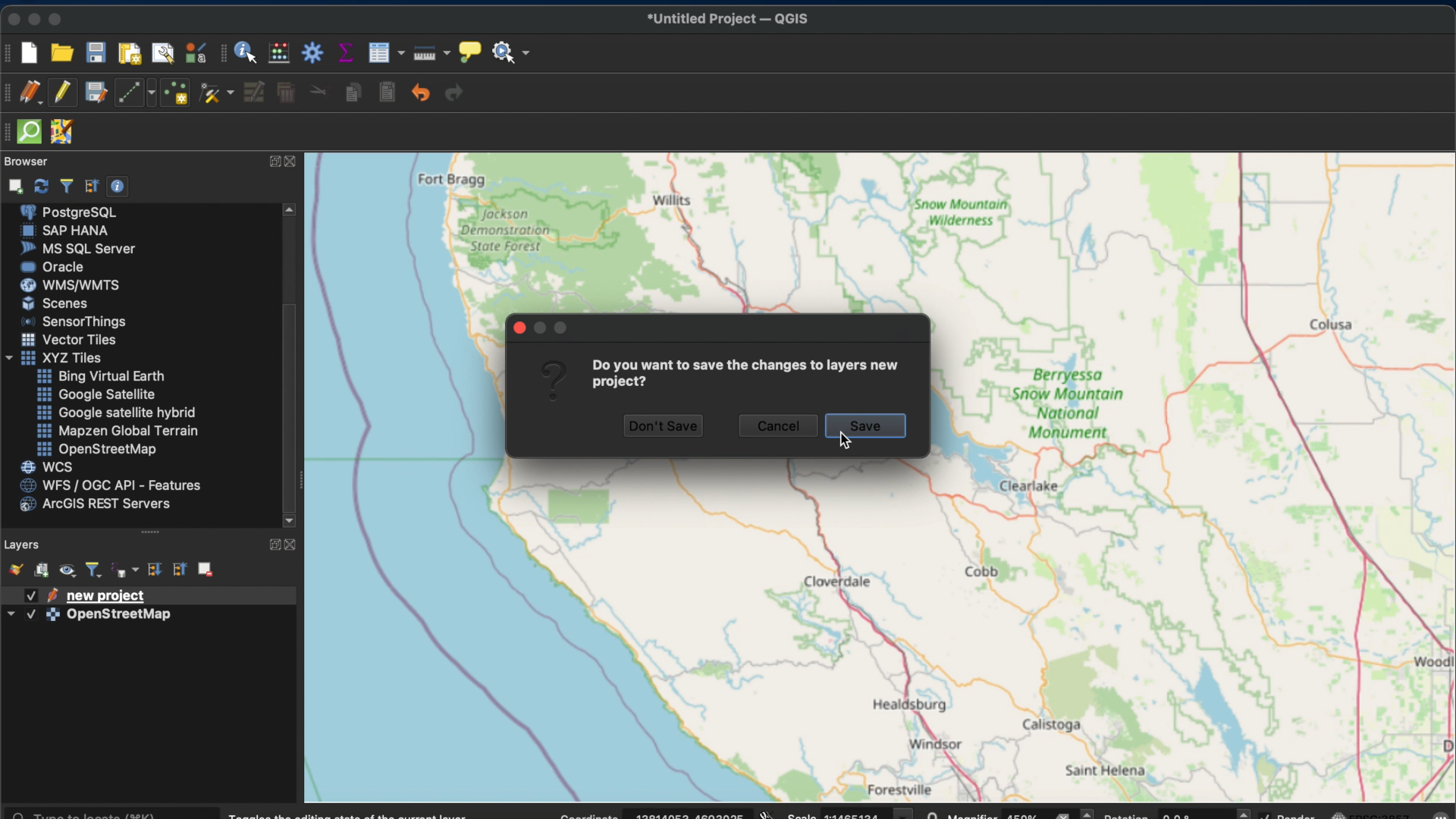 The width and height of the screenshot is (1456, 819). Describe the element at coordinates (77, 248) in the screenshot. I see `MS sql server` at that location.